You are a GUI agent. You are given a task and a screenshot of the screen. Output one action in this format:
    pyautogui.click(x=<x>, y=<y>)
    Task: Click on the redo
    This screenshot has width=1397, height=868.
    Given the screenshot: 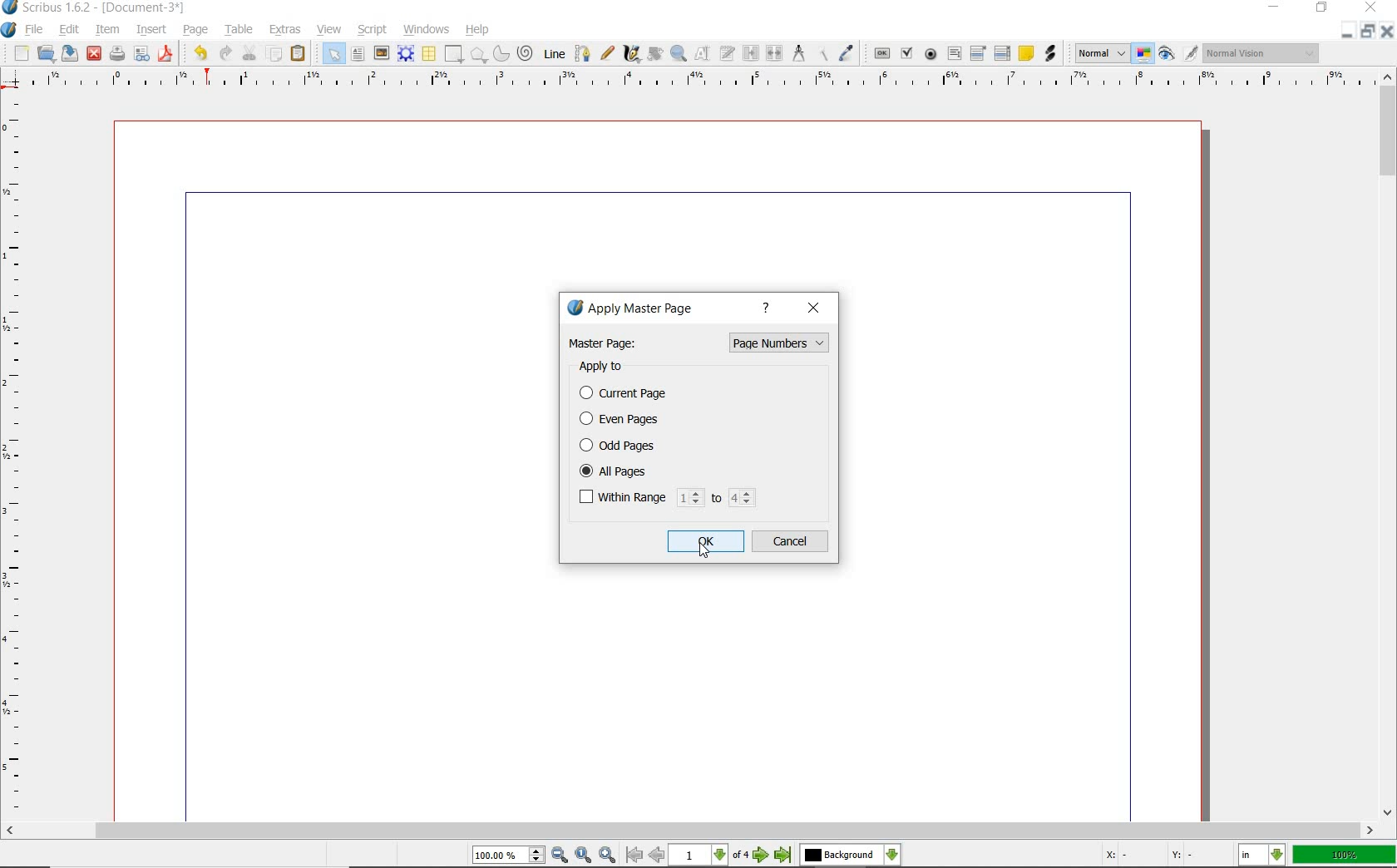 What is the action you would take?
    pyautogui.click(x=223, y=52)
    